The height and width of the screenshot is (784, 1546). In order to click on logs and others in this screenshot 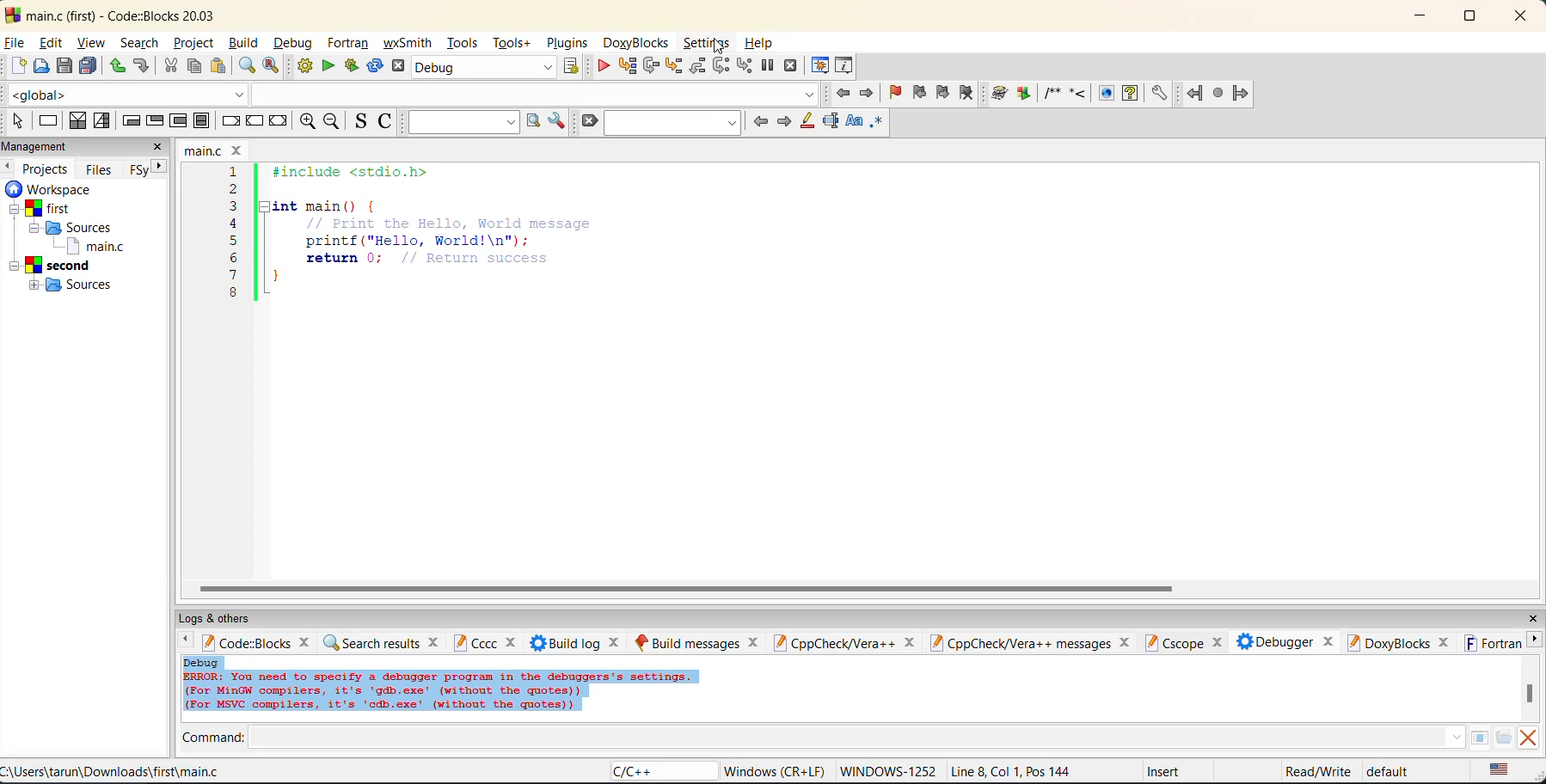, I will do `click(216, 616)`.